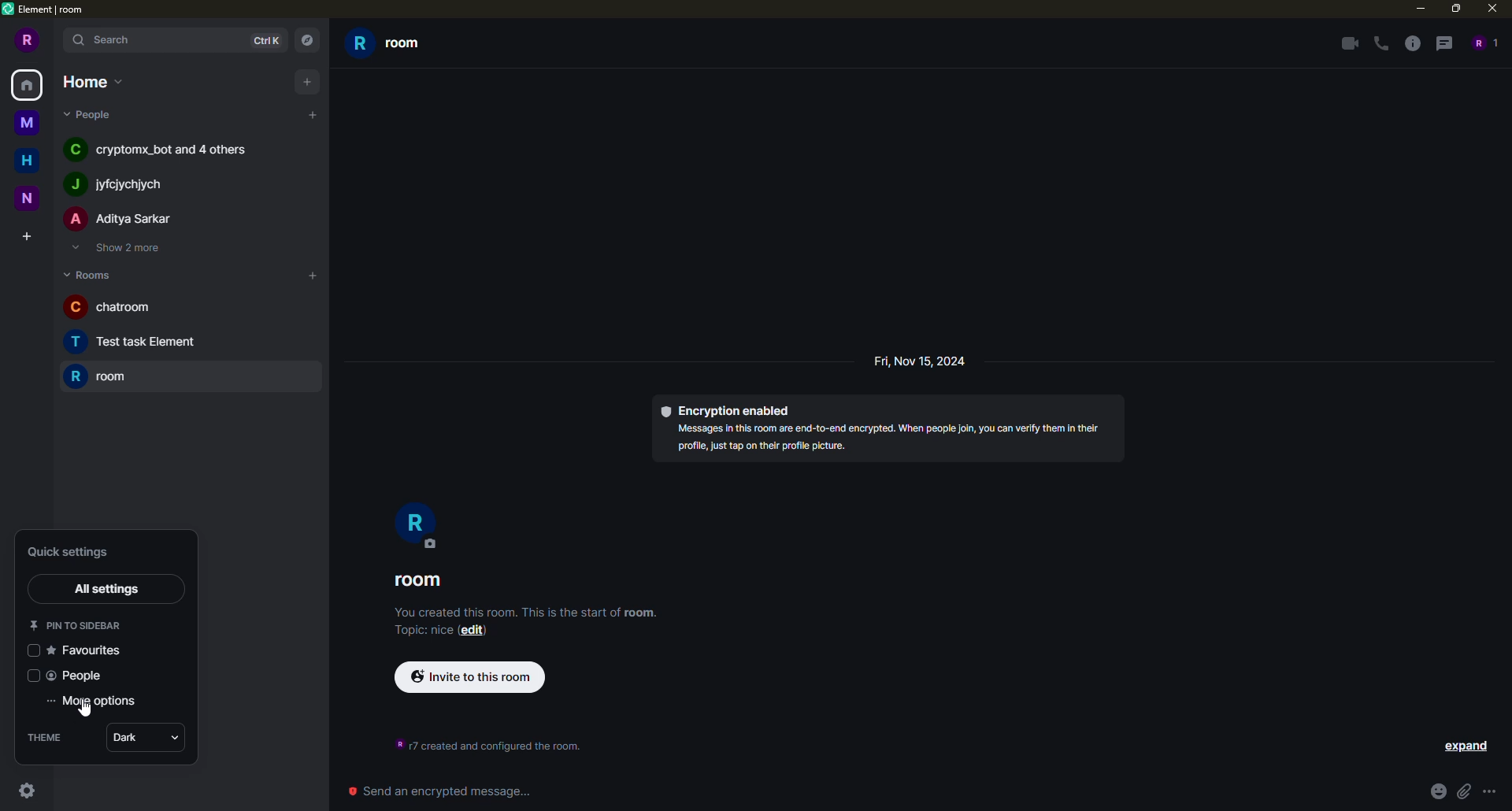 The image size is (1512, 811). I want to click on home, so click(28, 84).